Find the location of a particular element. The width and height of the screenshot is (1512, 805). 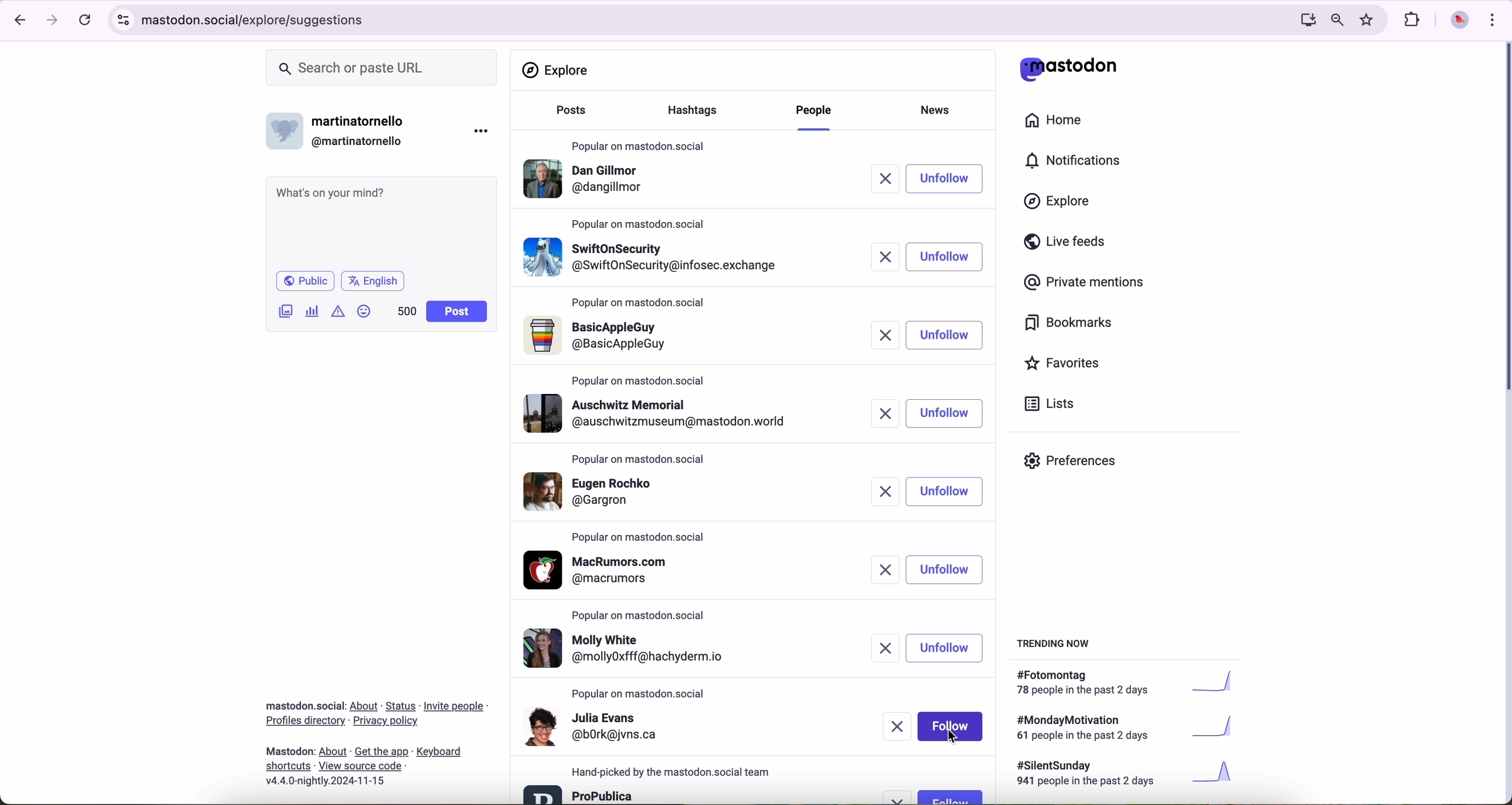

profile is located at coordinates (580, 793).